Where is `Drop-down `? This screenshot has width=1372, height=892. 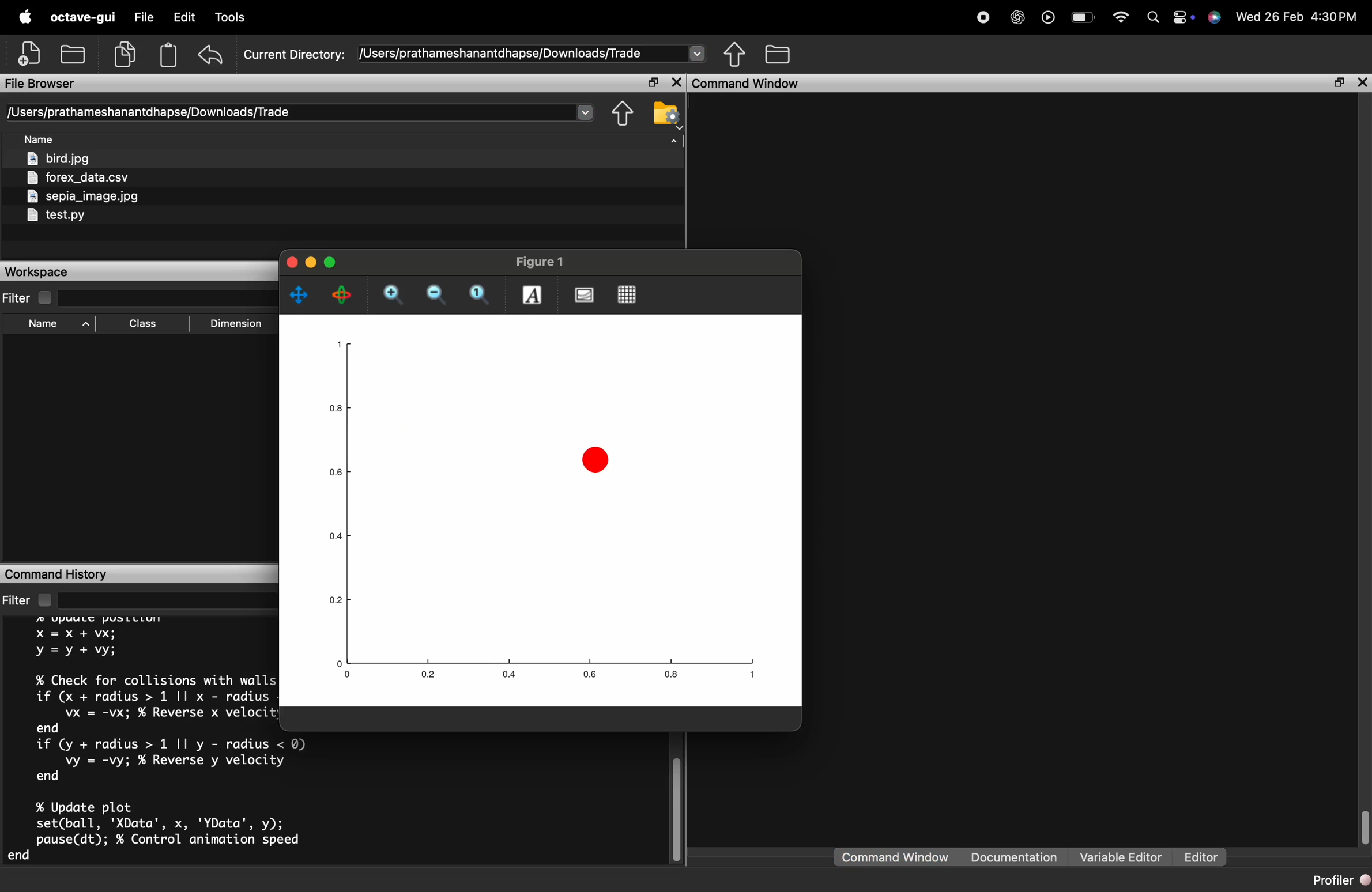 Drop-down  is located at coordinates (698, 52).